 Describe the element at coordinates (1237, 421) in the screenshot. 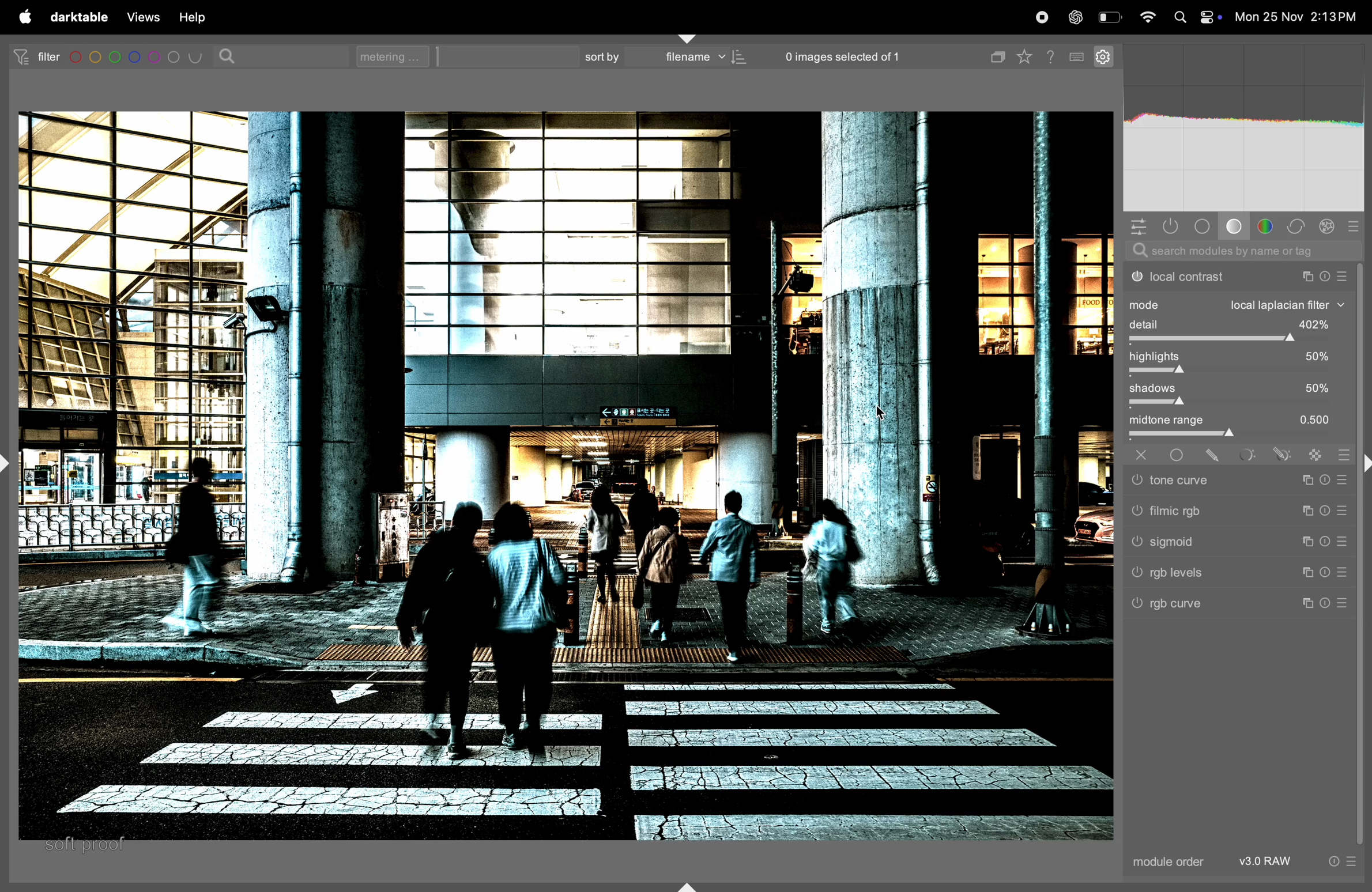

I see `midtone` at that location.